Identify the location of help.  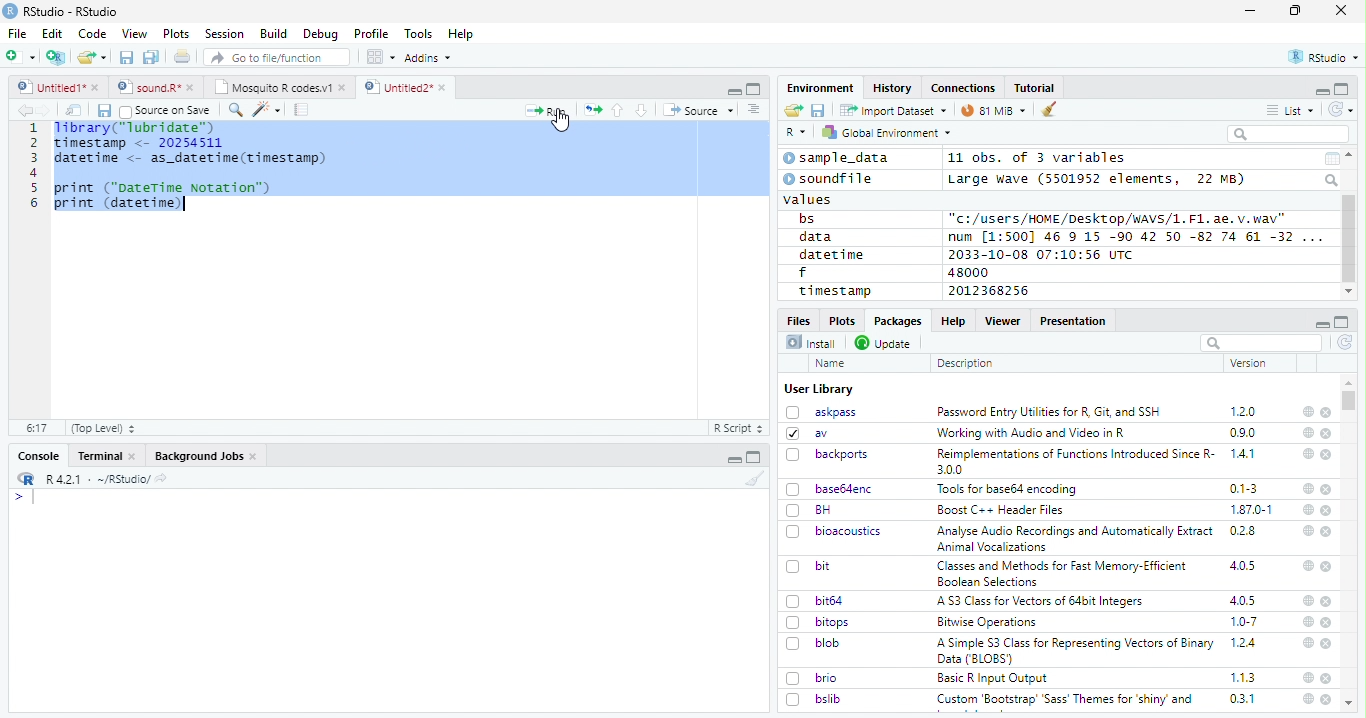
(1307, 565).